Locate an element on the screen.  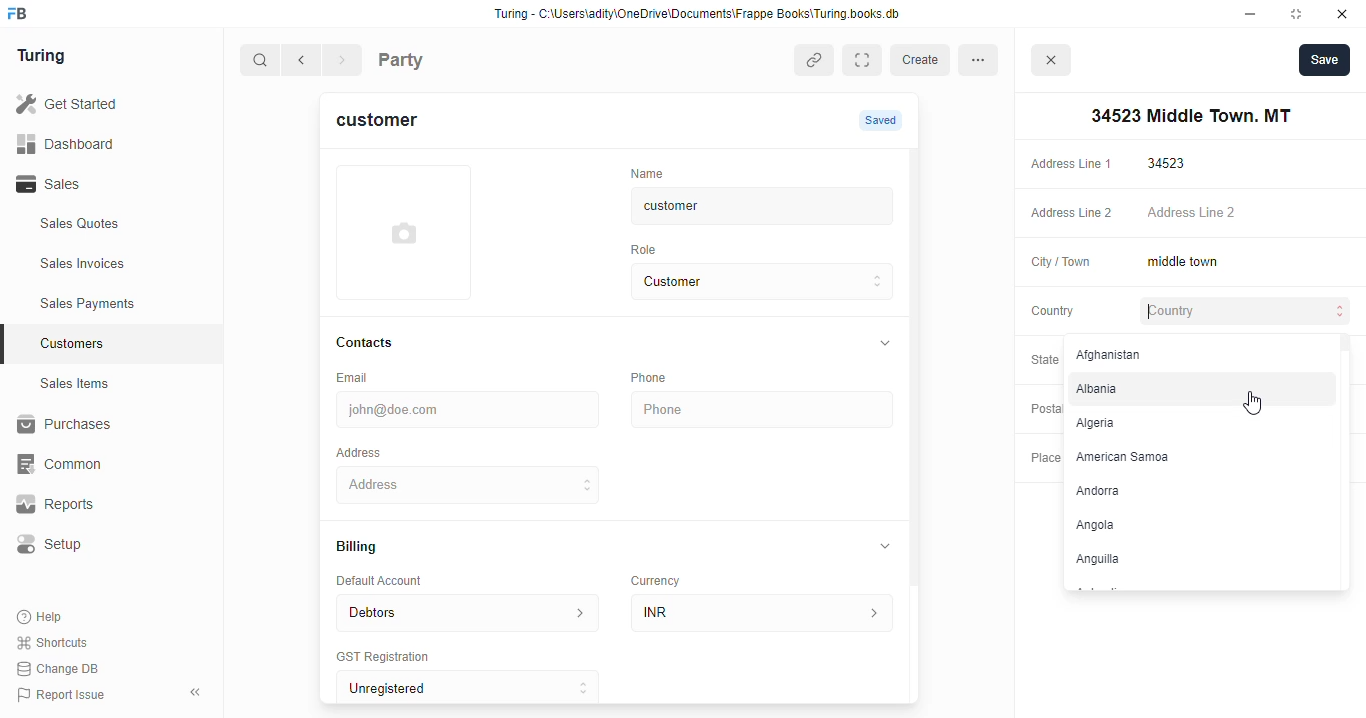
34523 Middle Town. MT is located at coordinates (1187, 116).